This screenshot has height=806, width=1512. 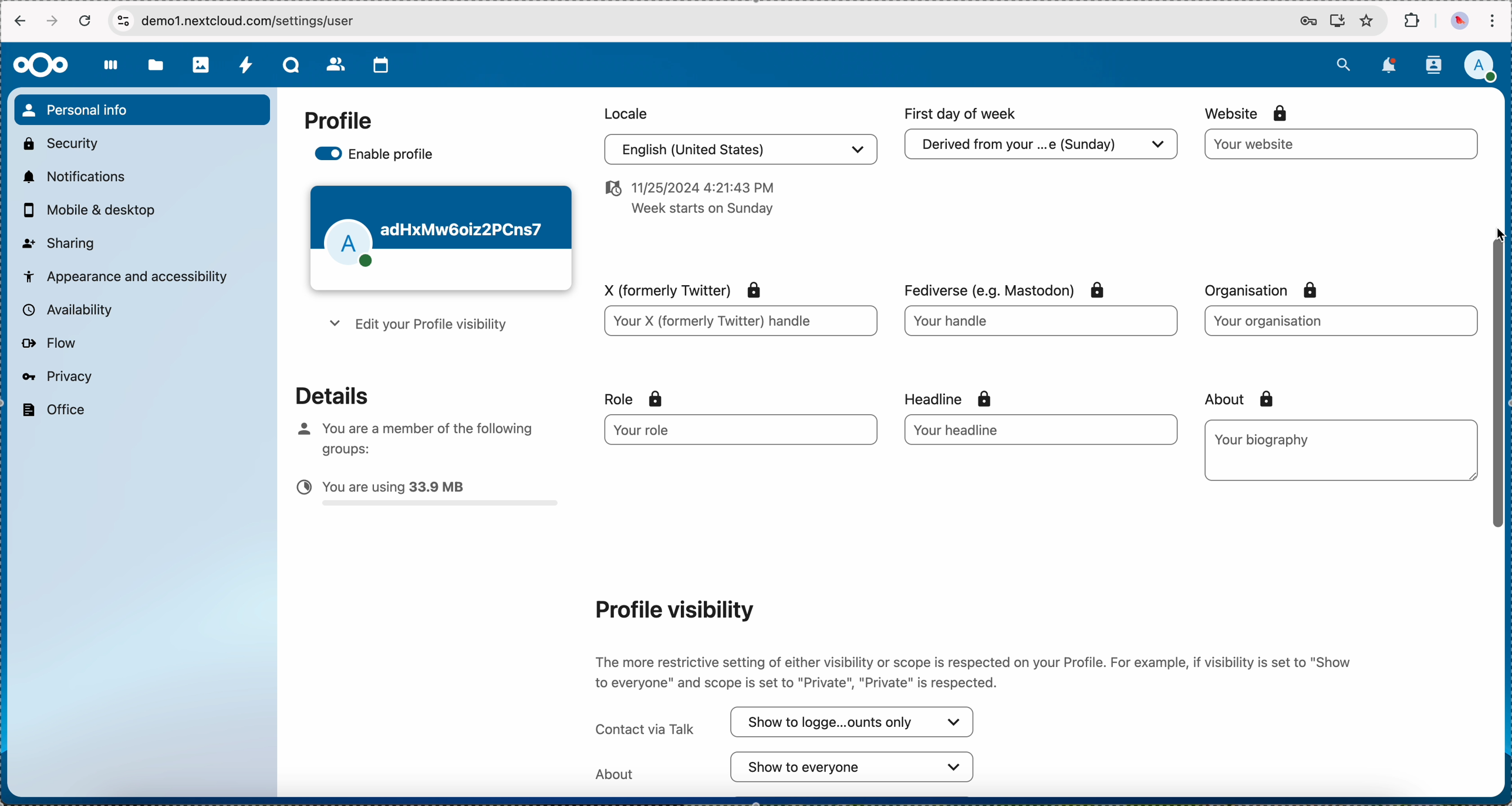 What do you see at coordinates (677, 288) in the screenshot?
I see `x` at bounding box center [677, 288].